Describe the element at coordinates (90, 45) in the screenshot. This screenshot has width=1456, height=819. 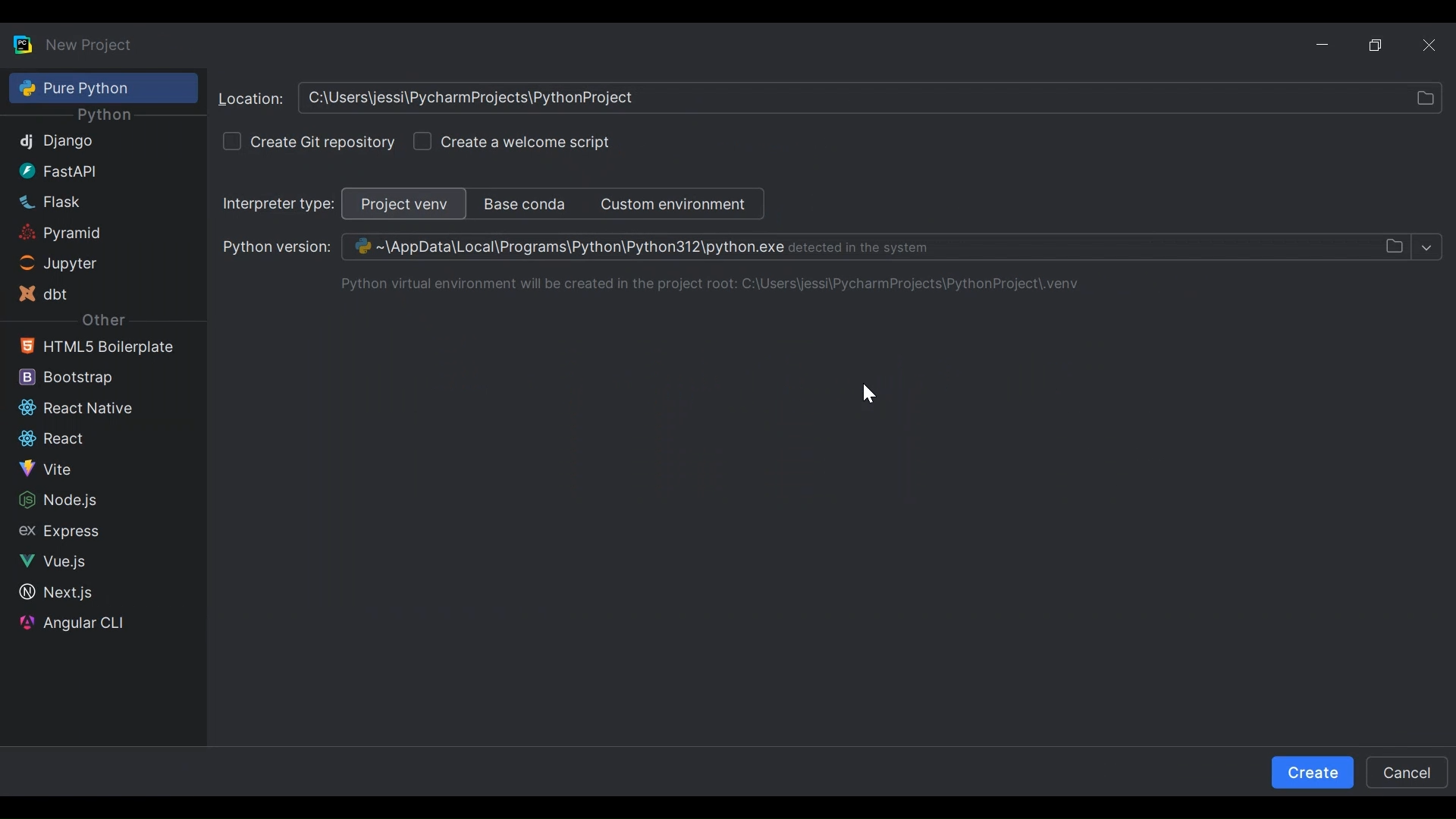
I see `New Project` at that location.